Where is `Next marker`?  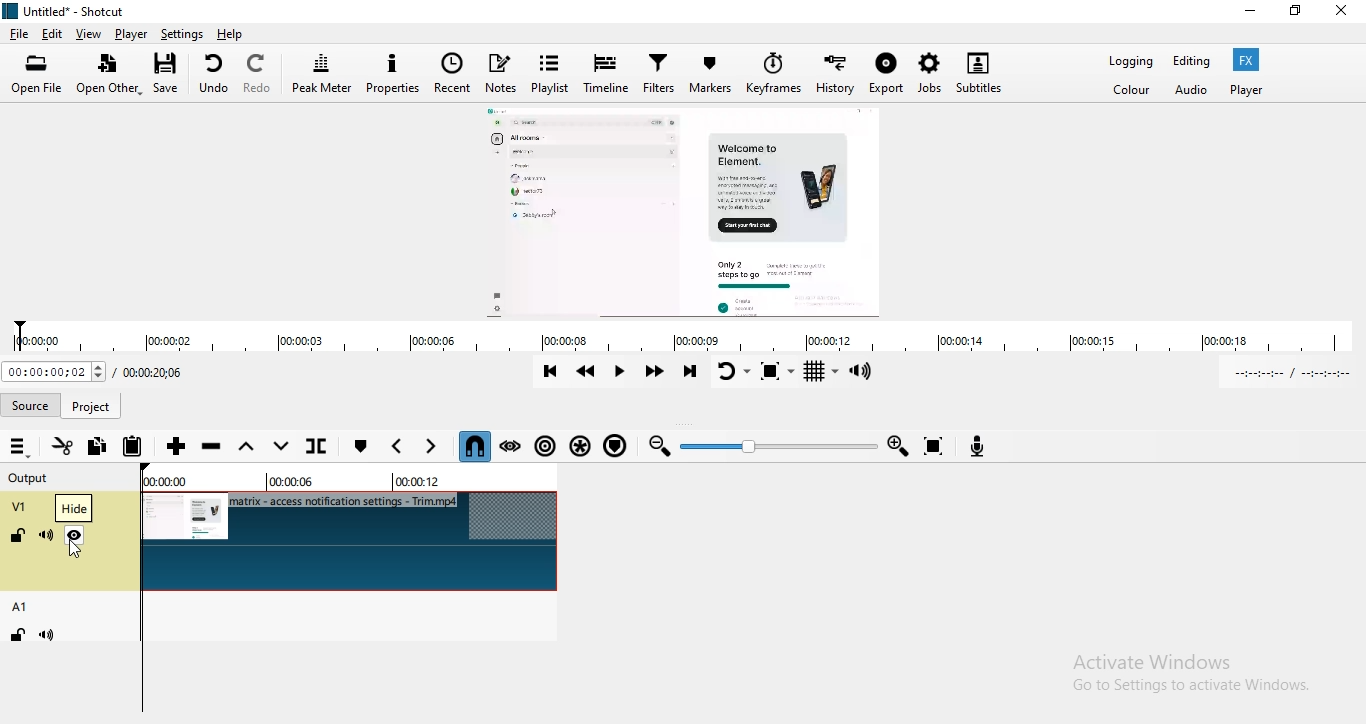
Next marker is located at coordinates (431, 446).